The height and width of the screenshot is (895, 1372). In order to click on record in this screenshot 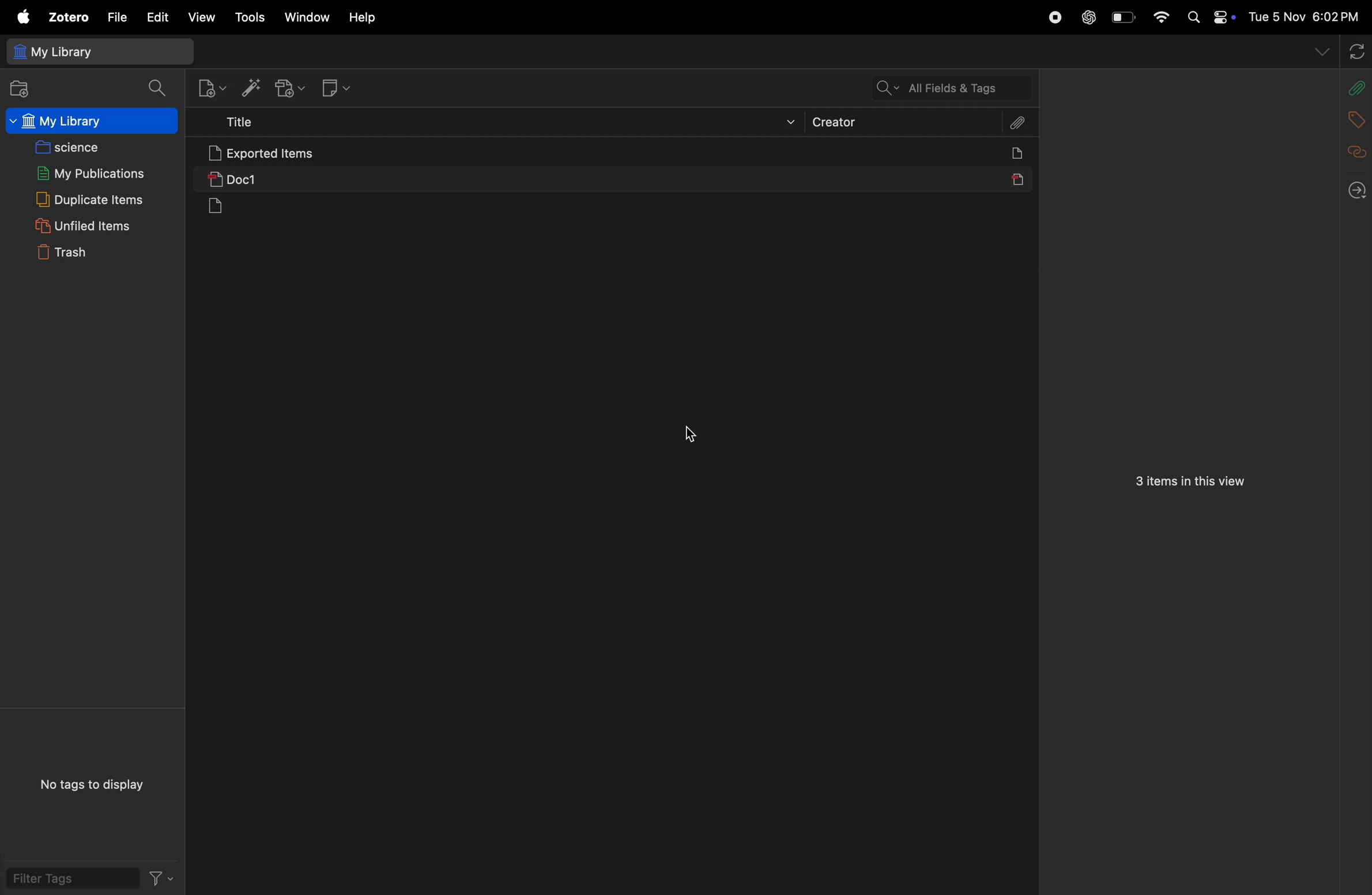, I will do `click(1051, 17)`.